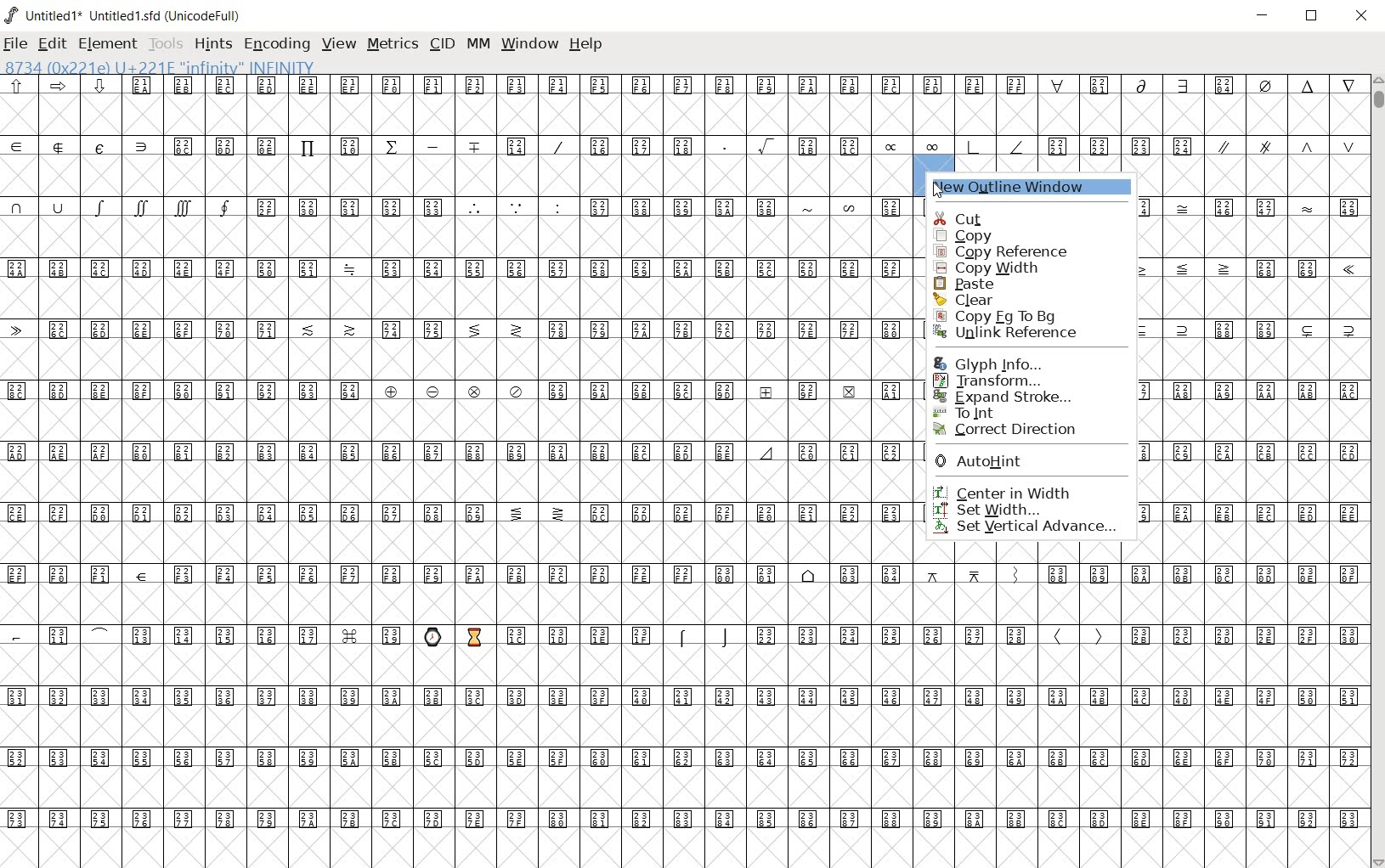  I want to click on symbols, so click(1078, 636).